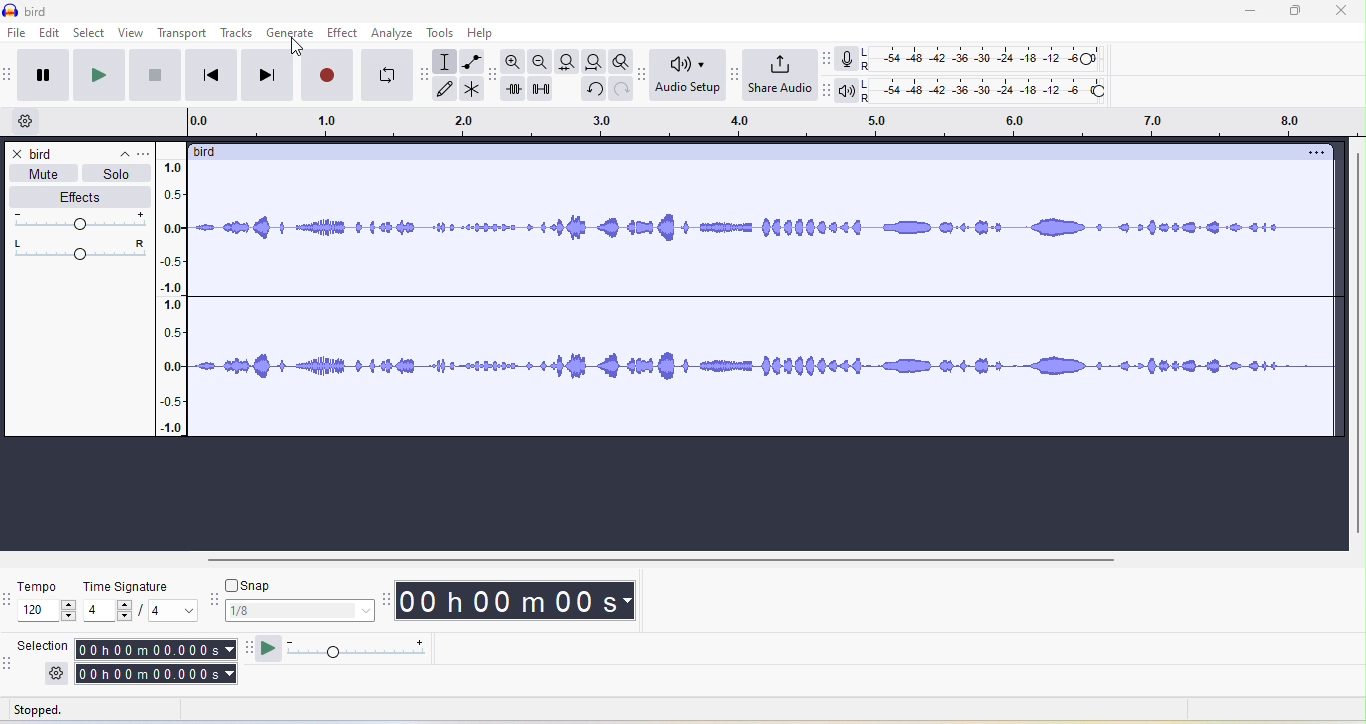  Describe the element at coordinates (213, 601) in the screenshot. I see `audacity snapping toolbar` at that location.